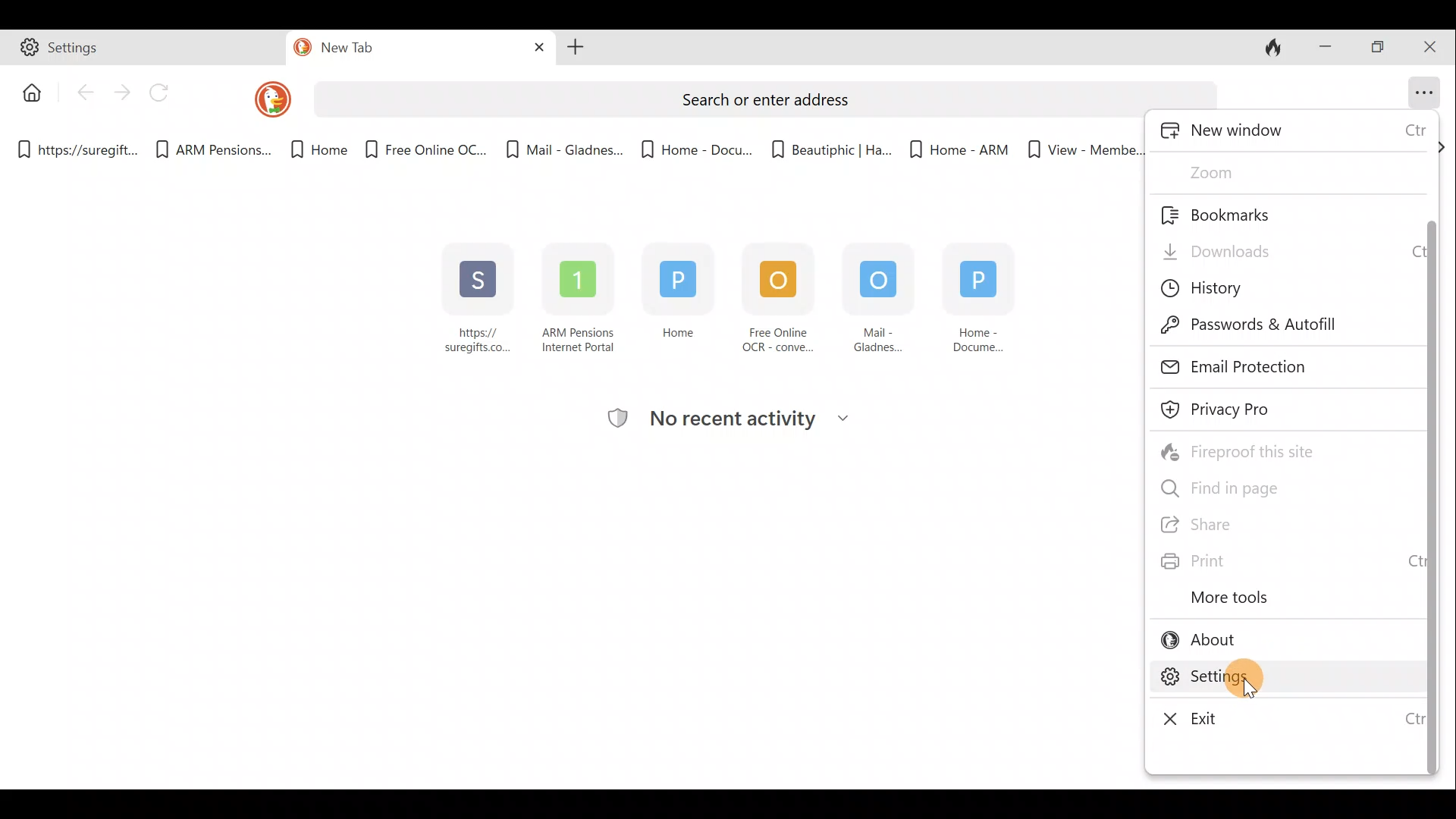 This screenshot has width=1456, height=819. Describe the element at coordinates (29, 91) in the screenshot. I see `` at that location.